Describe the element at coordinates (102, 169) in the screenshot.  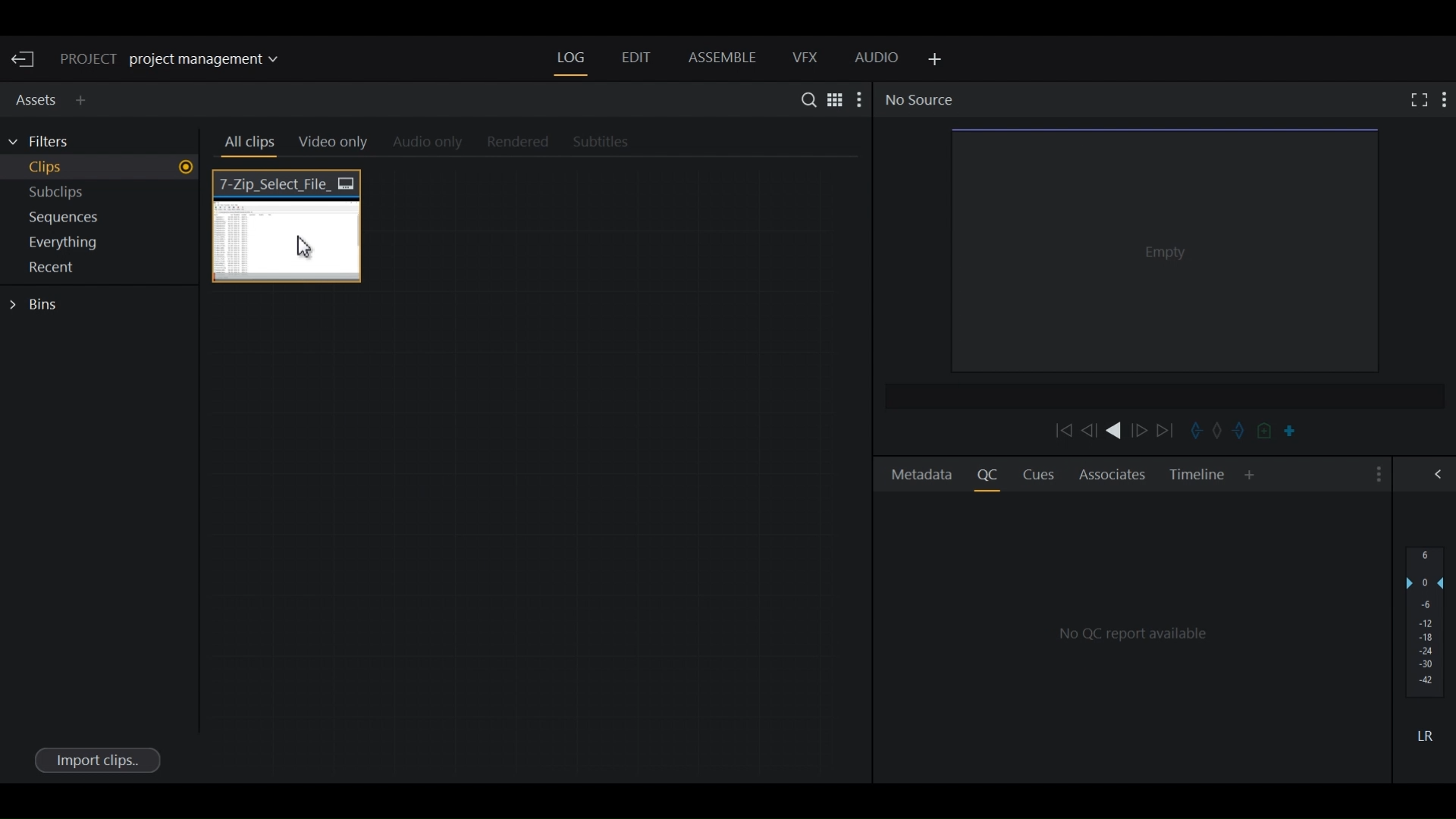
I see `Show Clips in current project` at that location.